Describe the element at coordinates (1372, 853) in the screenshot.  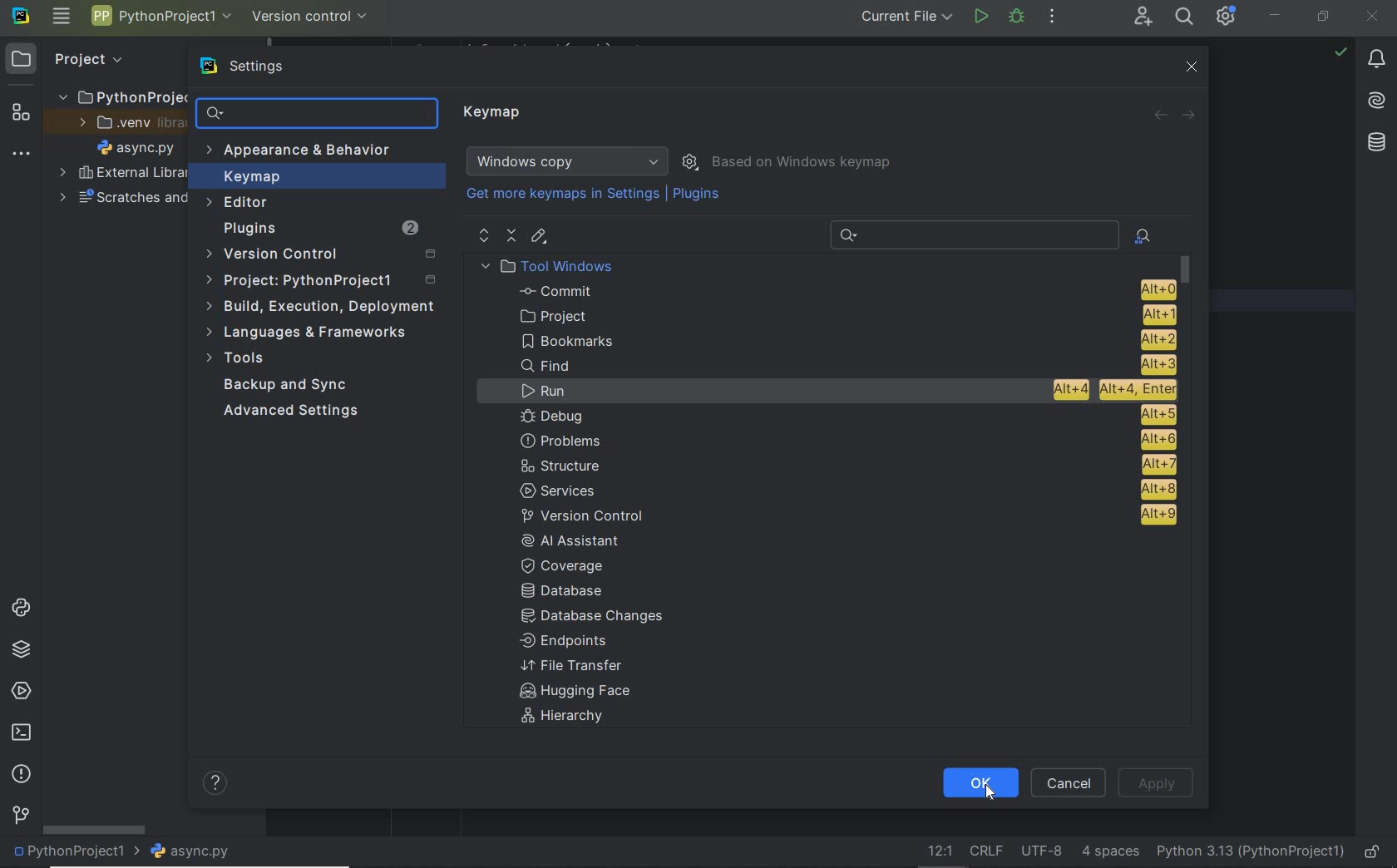
I see `make file ready only` at that location.